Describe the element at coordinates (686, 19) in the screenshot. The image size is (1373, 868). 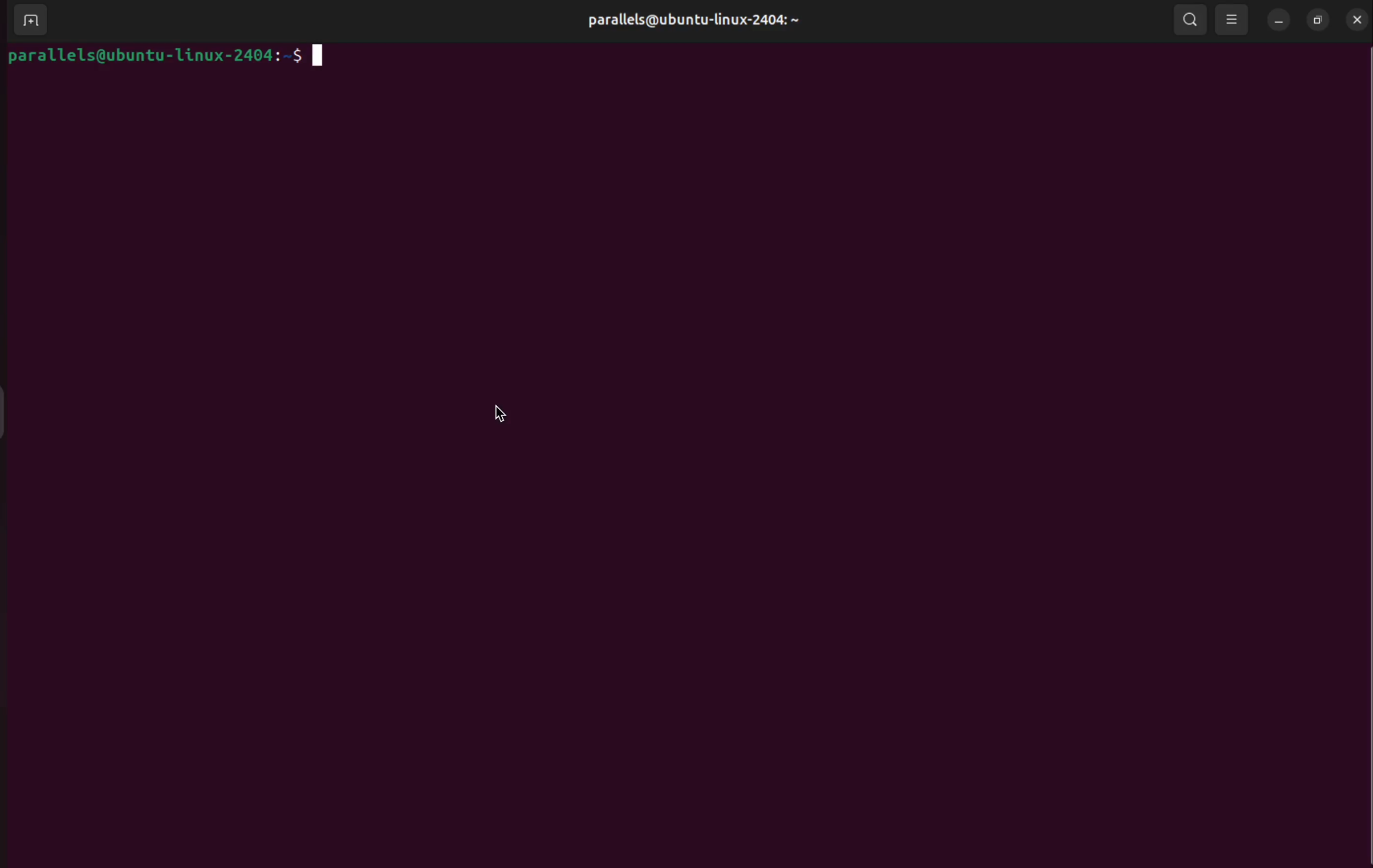
I see `parallels username` at that location.